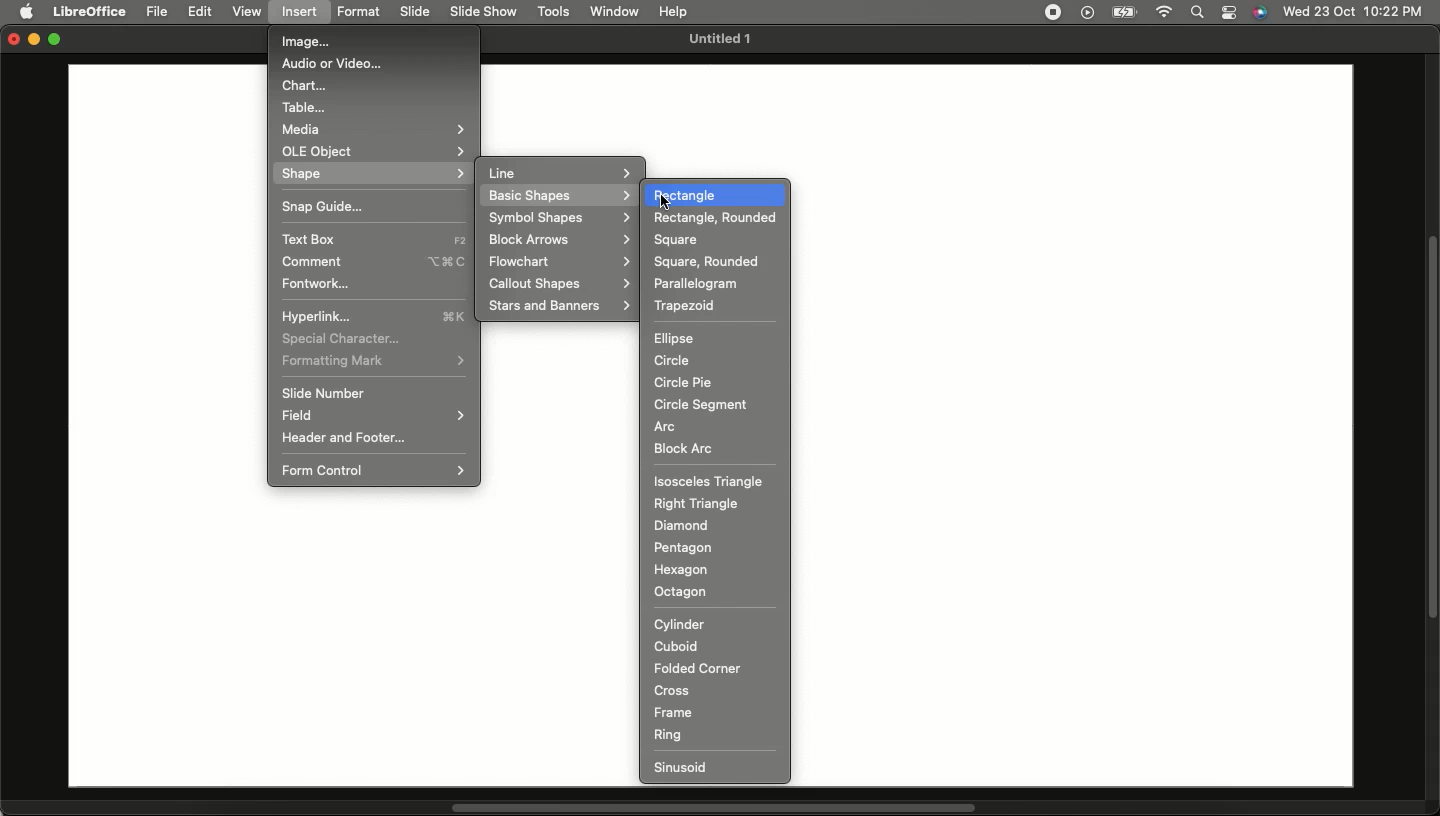  Describe the element at coordinates (559, 262) in the screenshot. I see `Flowchart` at that location.